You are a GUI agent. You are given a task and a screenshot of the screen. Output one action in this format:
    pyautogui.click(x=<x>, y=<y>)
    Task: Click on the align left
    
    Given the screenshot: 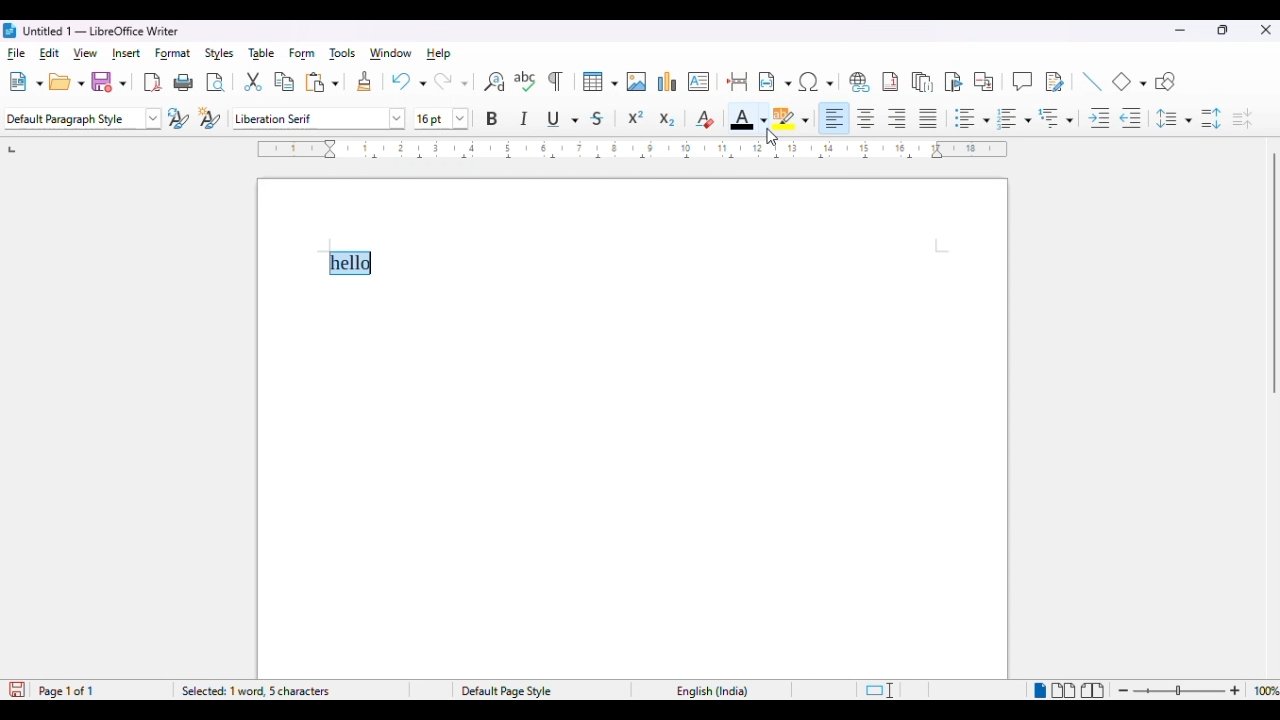 What is the action you would take?
    pyautogui.click(x=836, y=118)
    